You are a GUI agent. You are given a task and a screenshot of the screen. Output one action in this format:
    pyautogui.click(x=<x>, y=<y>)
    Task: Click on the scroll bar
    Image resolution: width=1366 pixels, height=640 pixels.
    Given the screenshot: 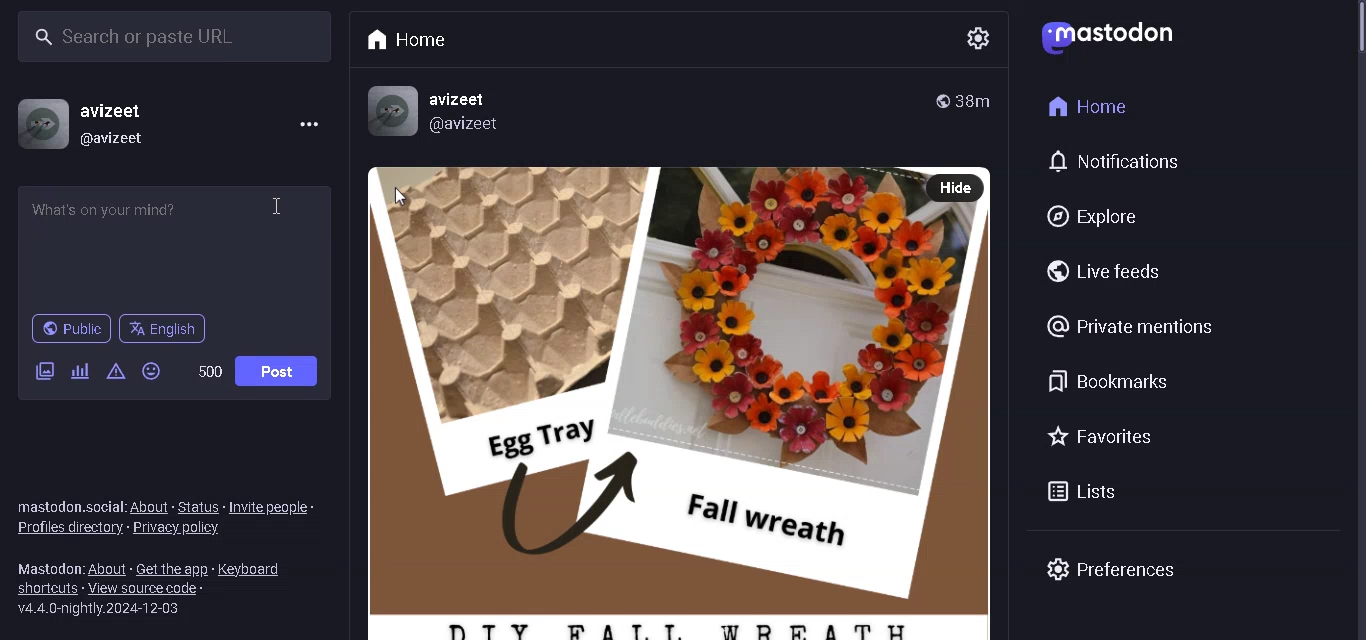 What is the action you would take?
    pyautogui.click(x=1353, y=43)
    